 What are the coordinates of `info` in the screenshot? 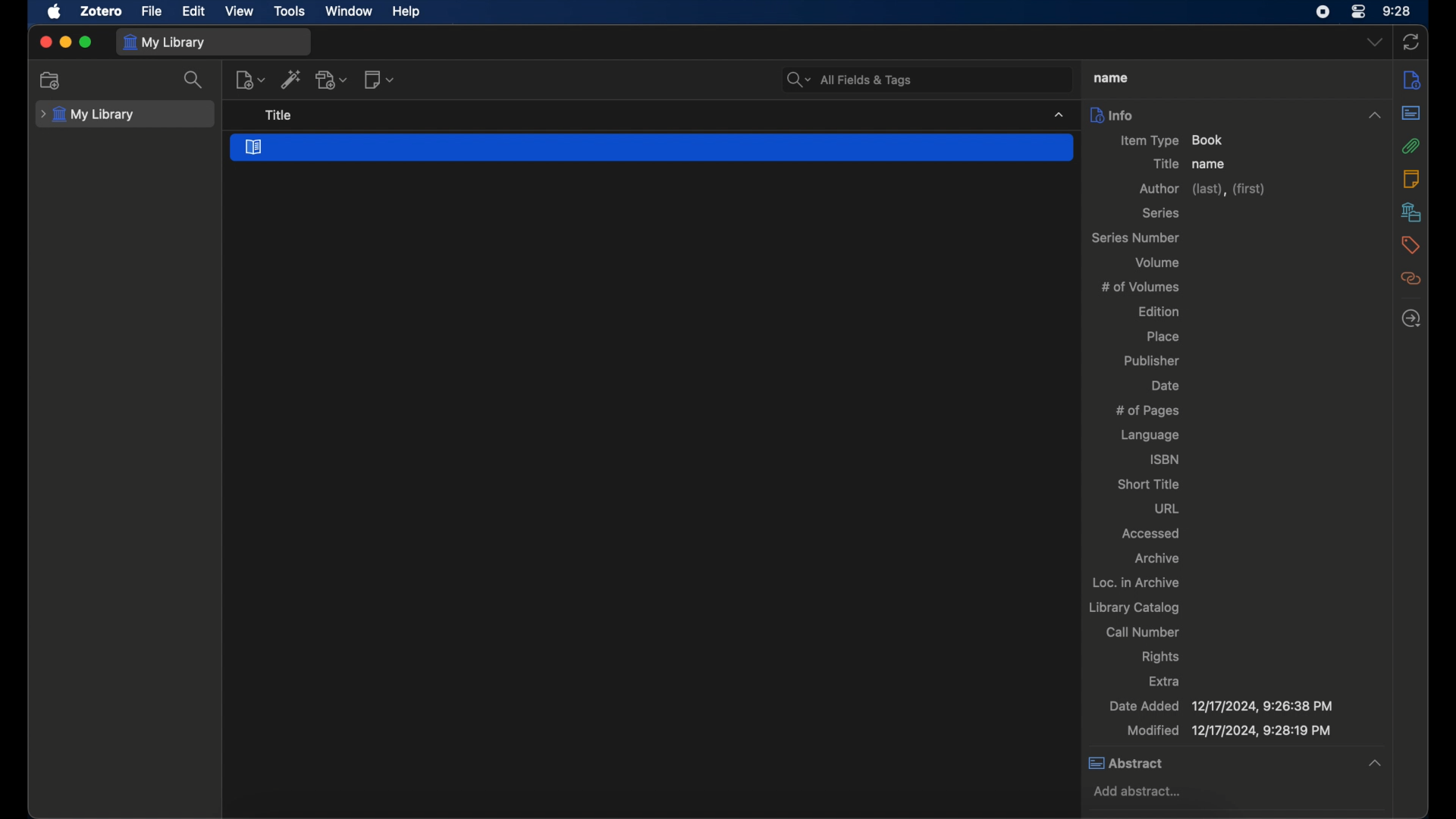 It's located at (1235, 114).